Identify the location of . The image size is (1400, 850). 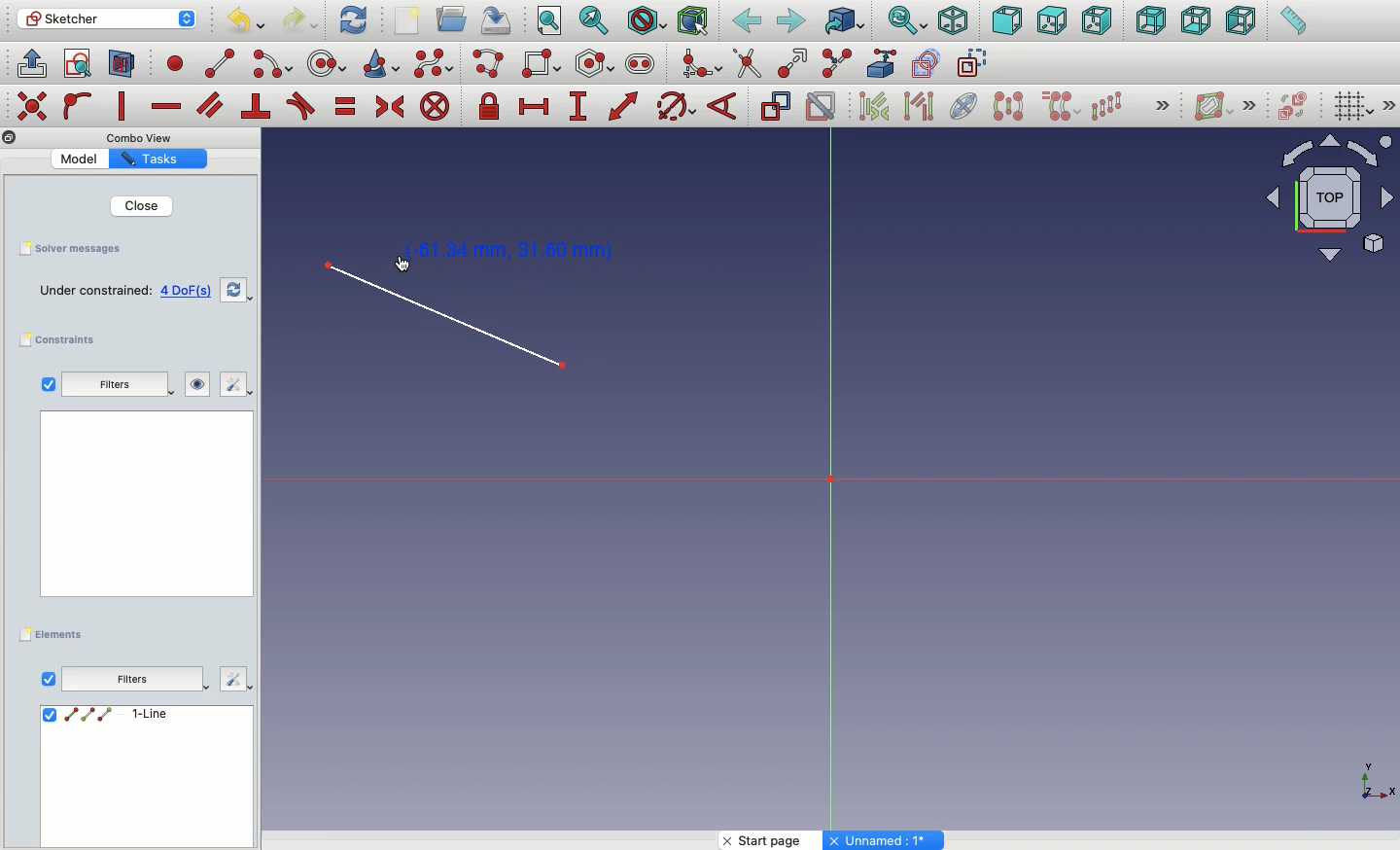
(886, 840).